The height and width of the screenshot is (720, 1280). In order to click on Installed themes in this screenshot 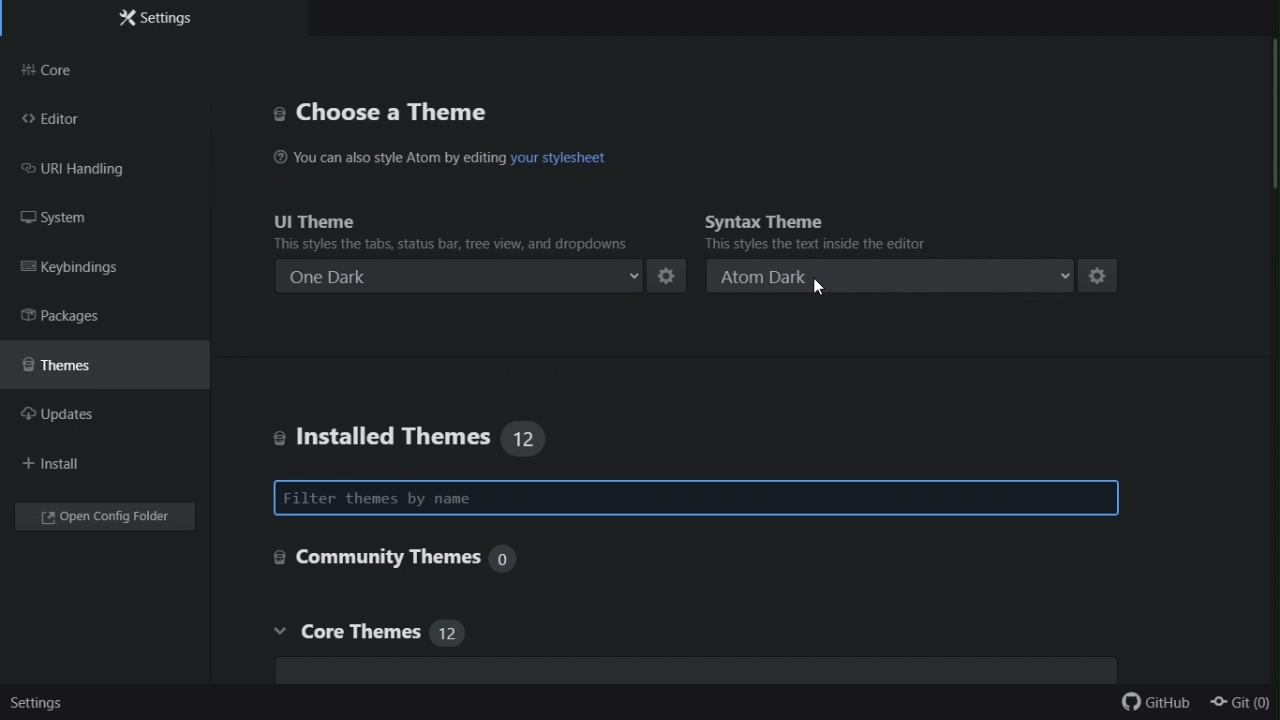, I will do `click(418, 429)`.